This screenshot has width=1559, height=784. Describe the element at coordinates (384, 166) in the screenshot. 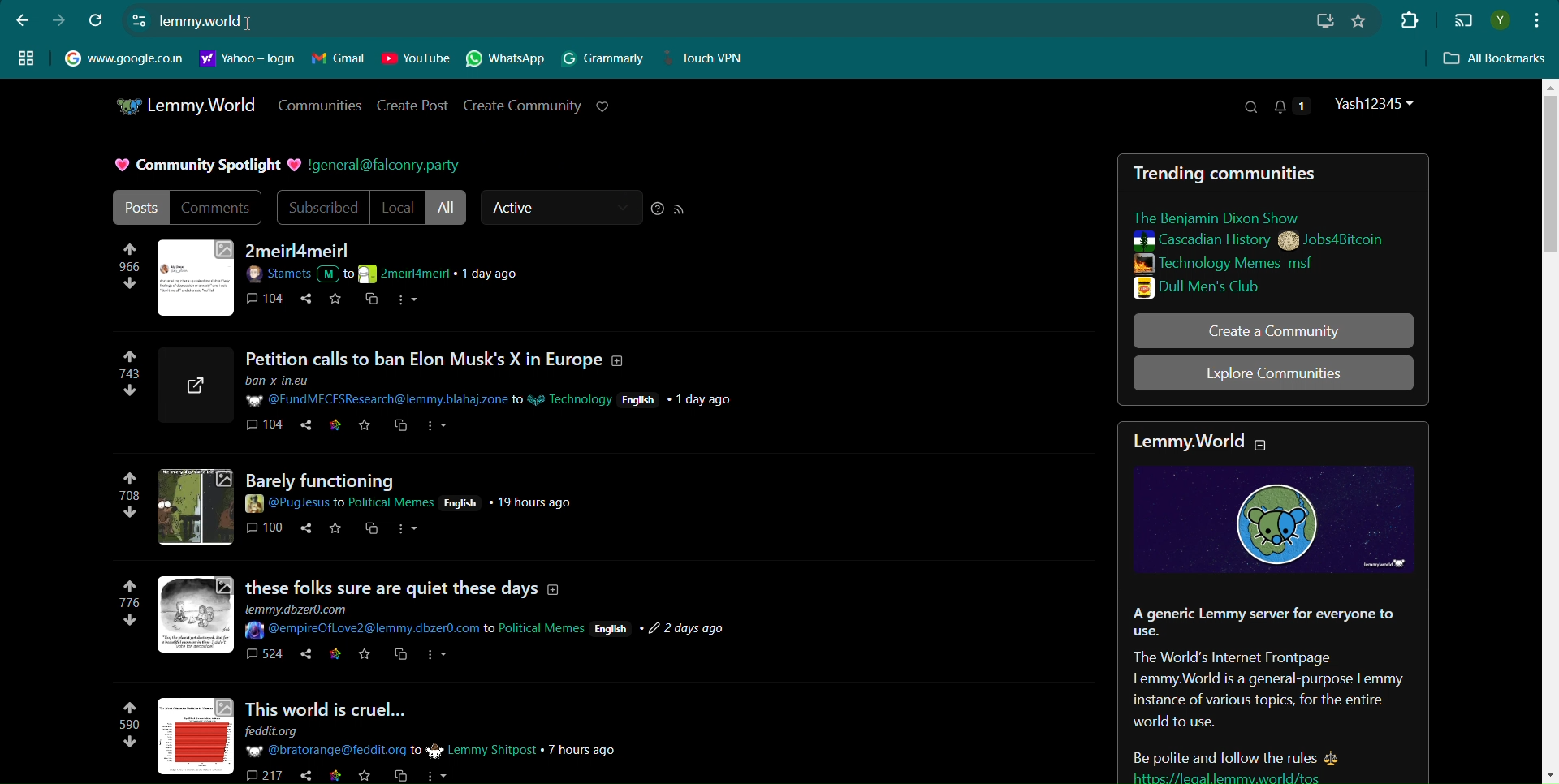

I see `Hyperlink` at that location.